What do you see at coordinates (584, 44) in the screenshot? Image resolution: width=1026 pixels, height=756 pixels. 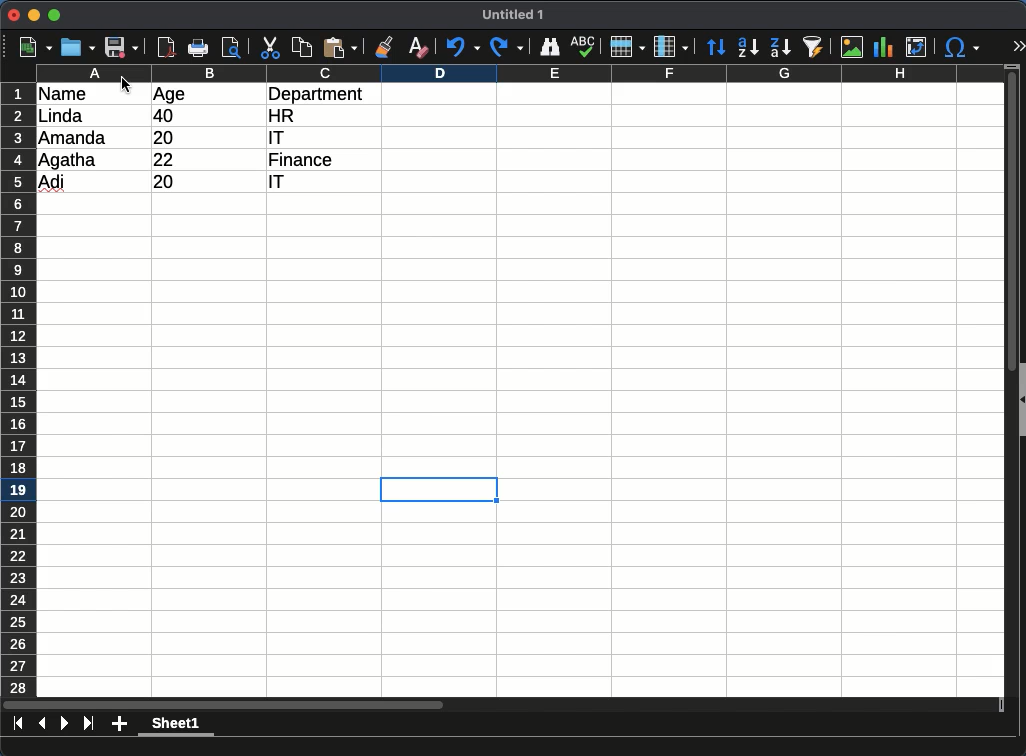 I see `spell check` at bounding box center [584, 44].